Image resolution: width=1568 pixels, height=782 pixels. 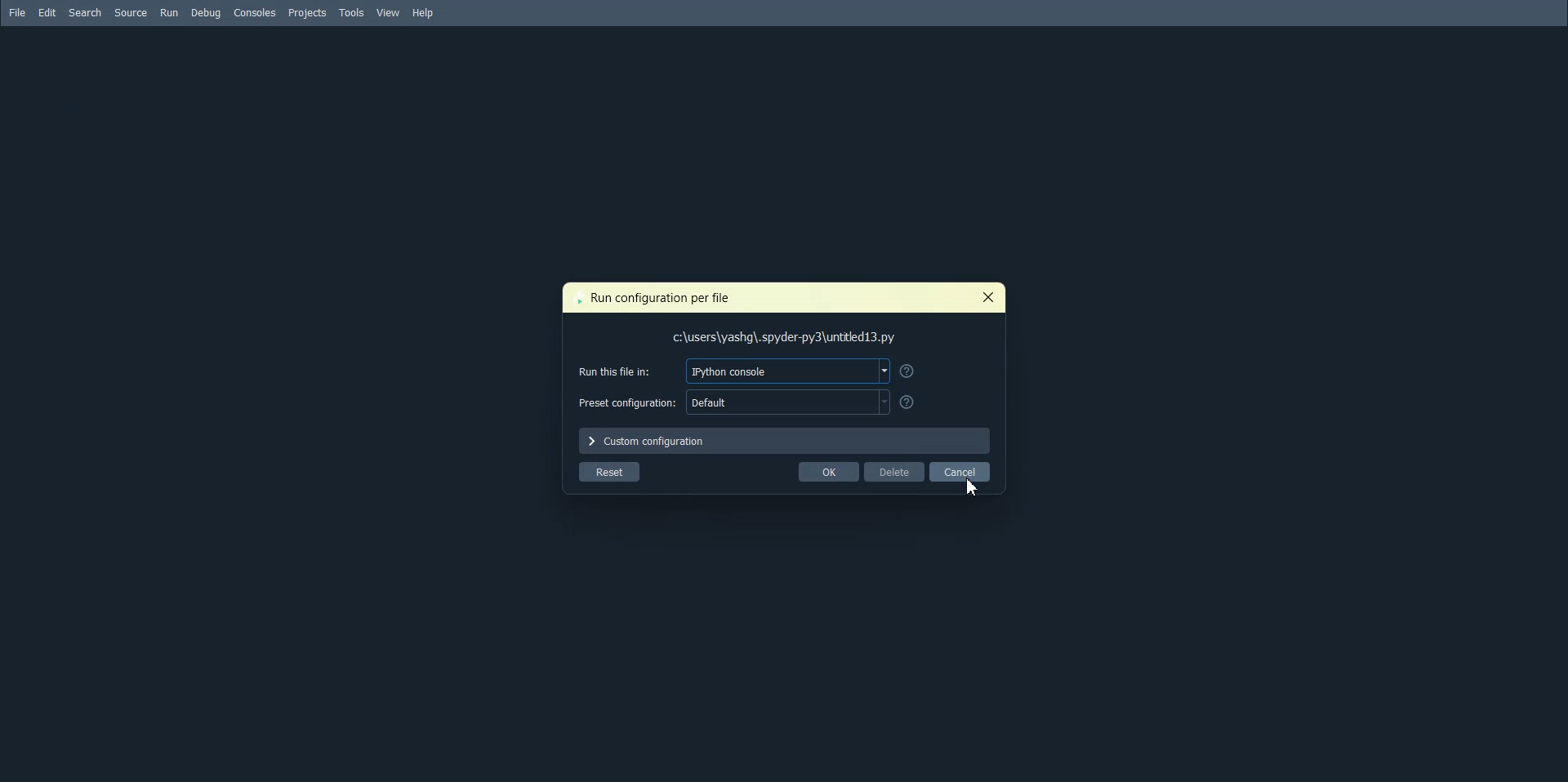 I want to click on Cancel, so click(x=960, y=471).